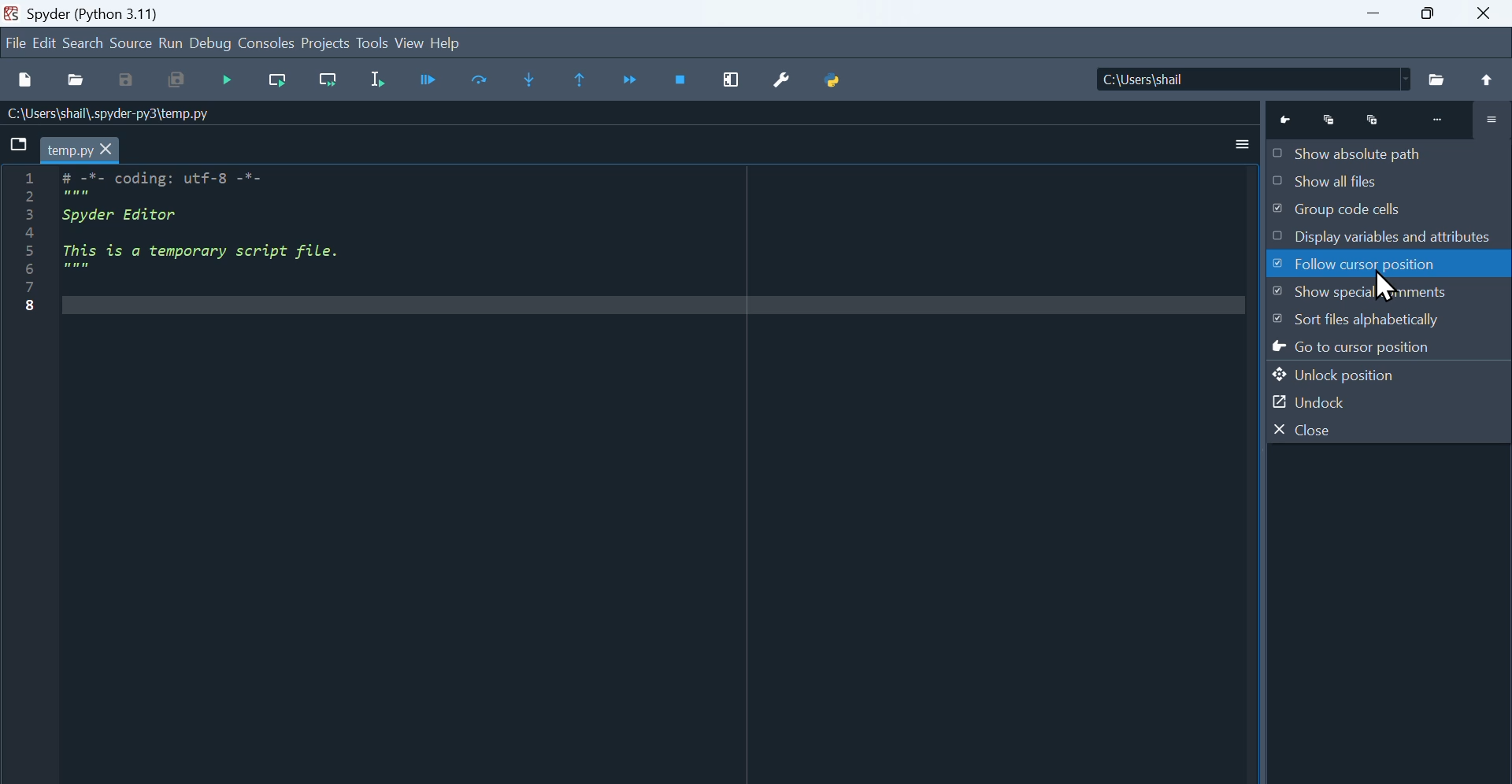 This screenshot has height=784, width=1512. Describe the element at coordinates (1388, 322) in the screenshot. I see `Sort file alphabetically` at that location.